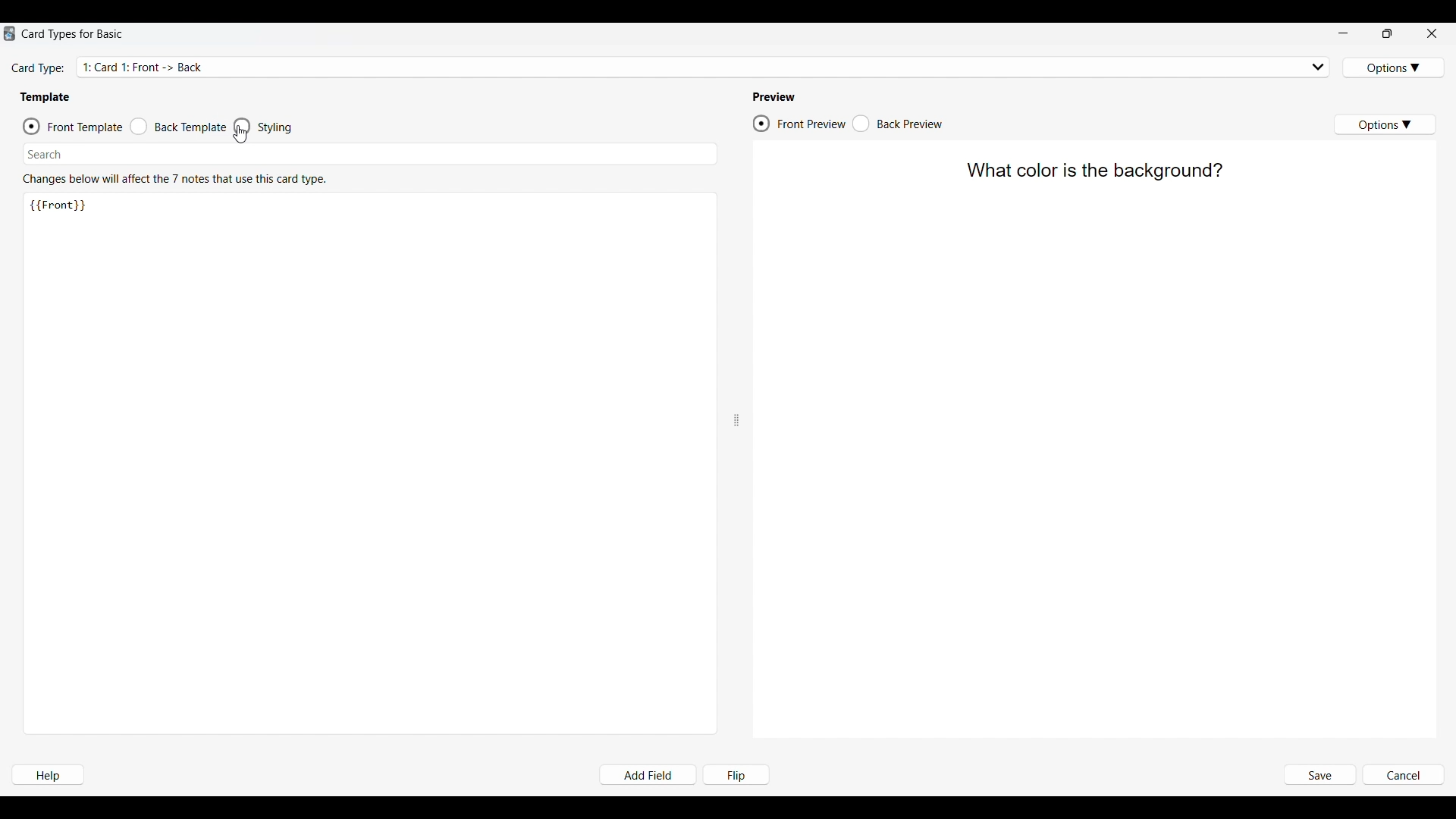 The height and width of the screenshot is (819, 1456). What do you see at coordinates (736, 383) in the screenshot?
I see `Change width of panels attached to this line` at bounding box center [736, 383].